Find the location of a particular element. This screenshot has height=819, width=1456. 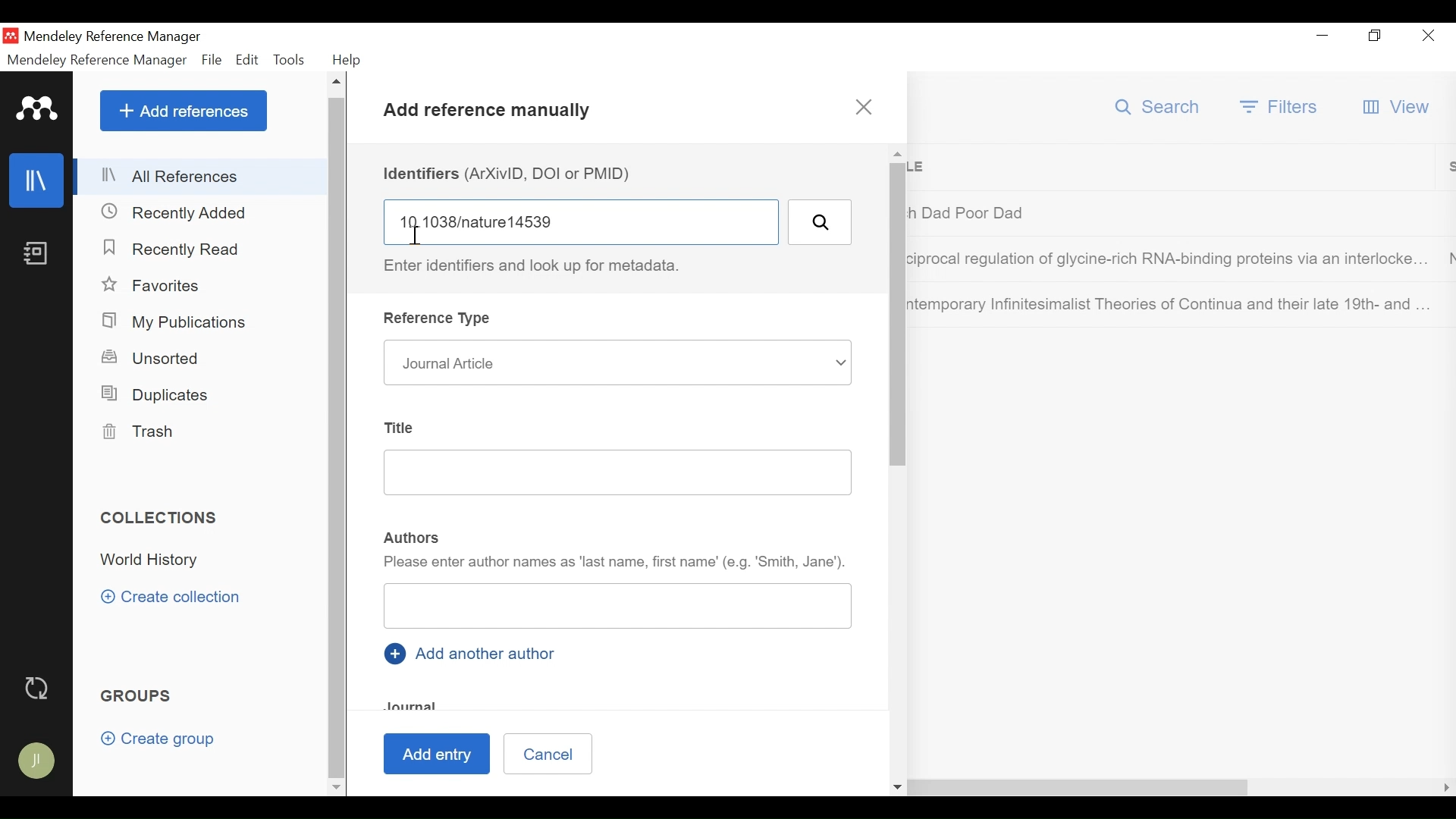

Title is located at coordinates (1177, 168).